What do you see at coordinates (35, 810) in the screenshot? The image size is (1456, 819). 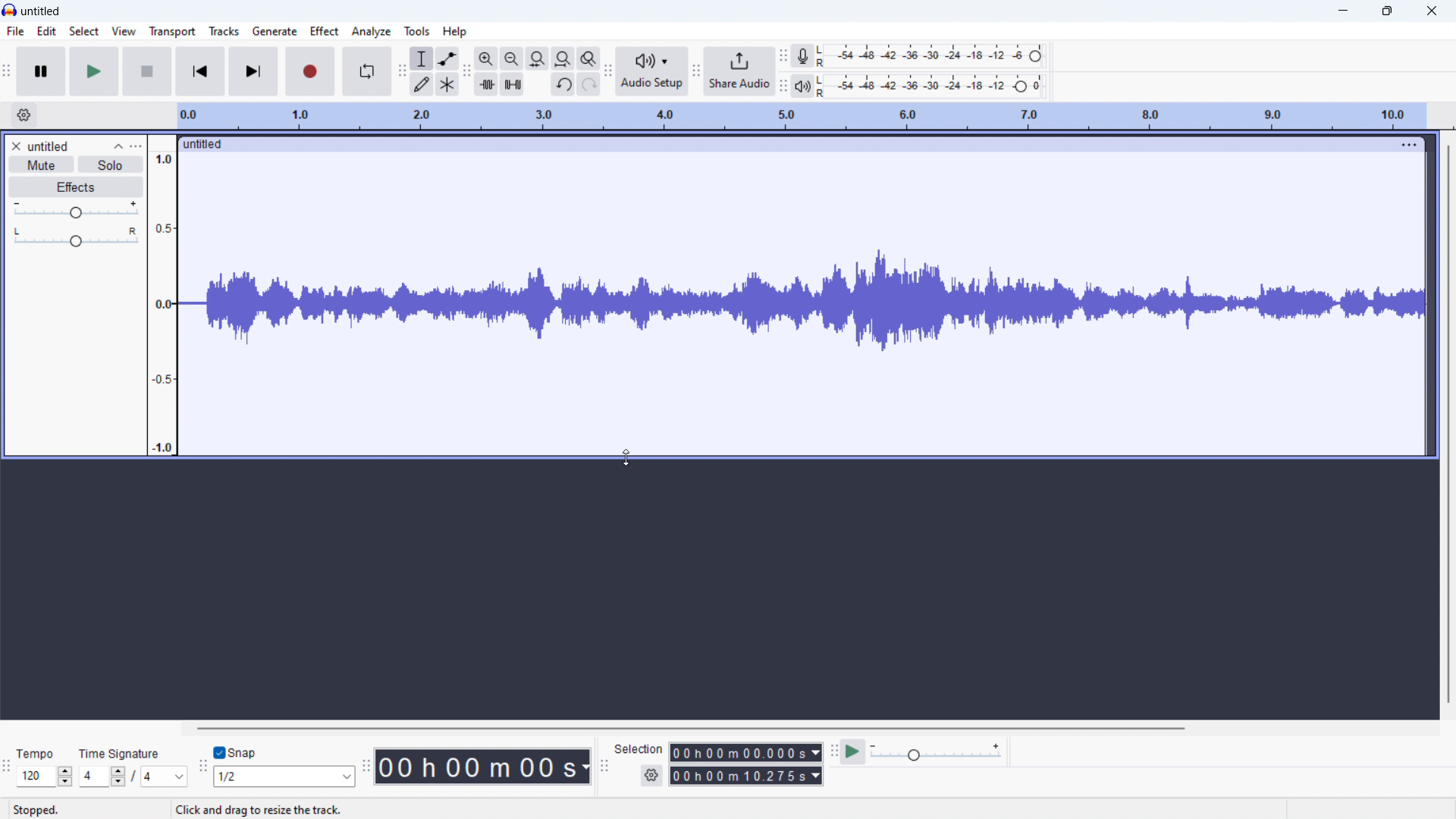 I see `Stopped` at bounding box center [35, 810].